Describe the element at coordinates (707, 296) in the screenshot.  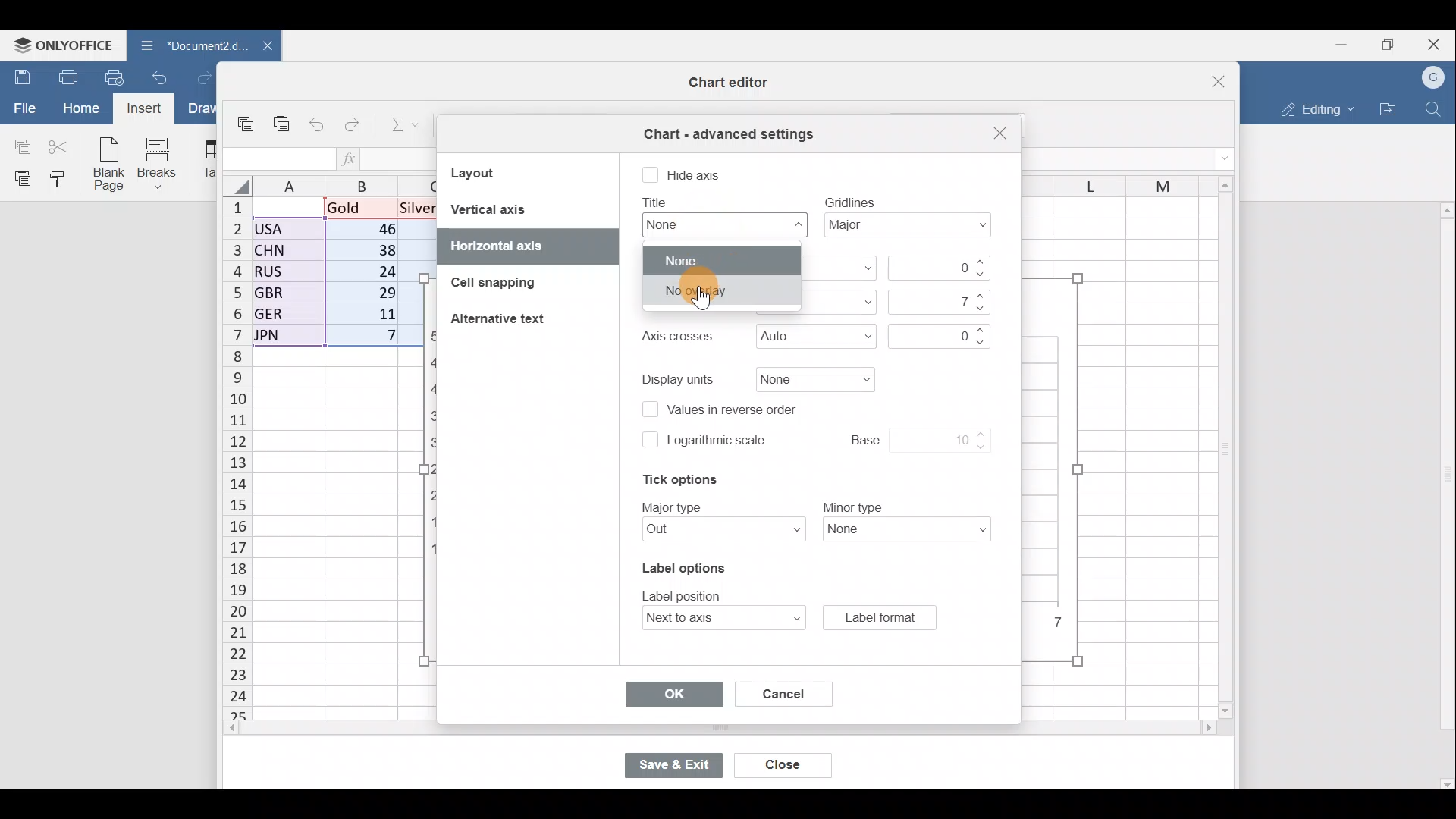
I see `Cursor on No overlay` at that location.